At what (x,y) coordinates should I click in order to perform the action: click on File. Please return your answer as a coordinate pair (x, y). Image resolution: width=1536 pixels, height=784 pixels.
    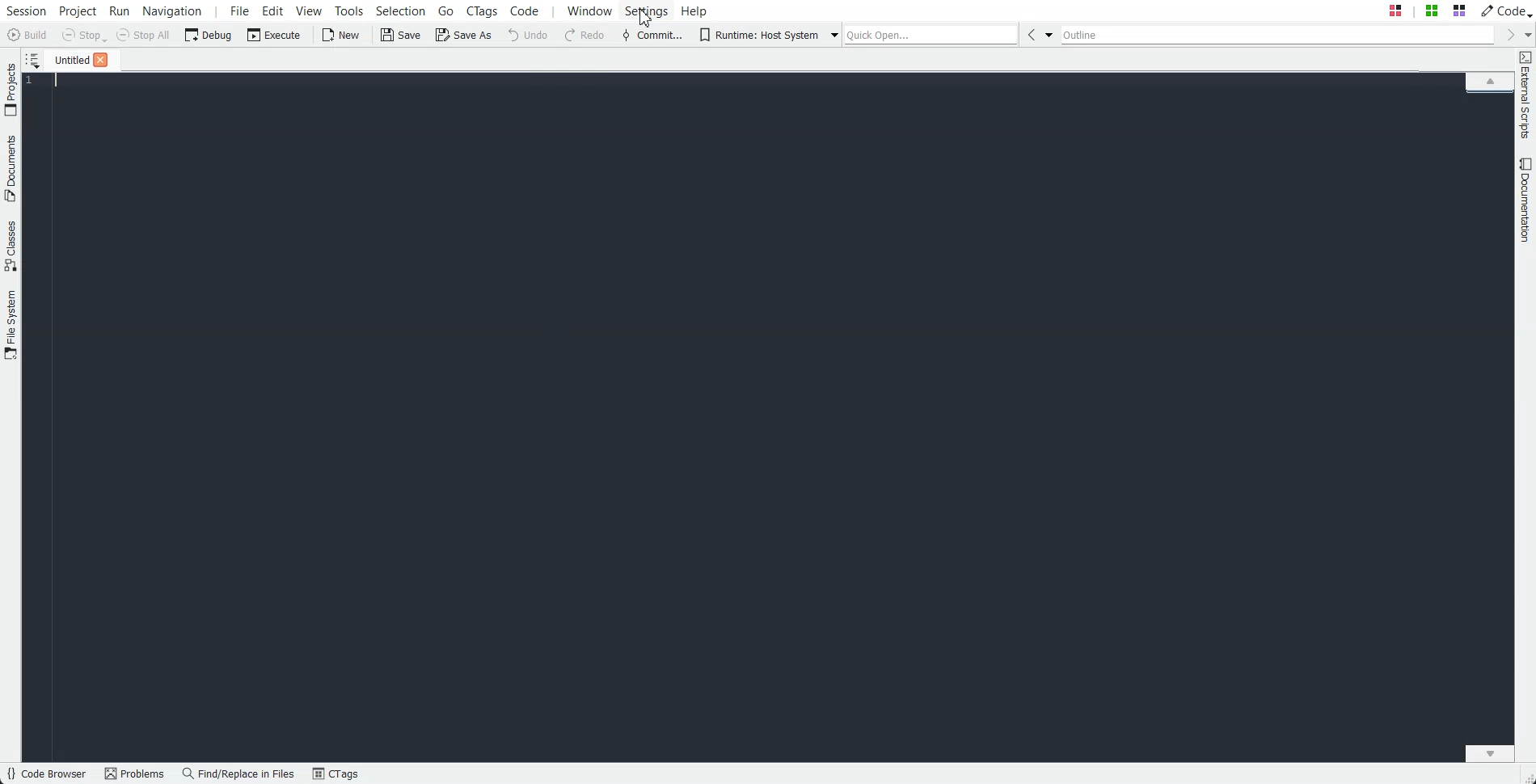
    Looking at the image, I should click on (67, 59).